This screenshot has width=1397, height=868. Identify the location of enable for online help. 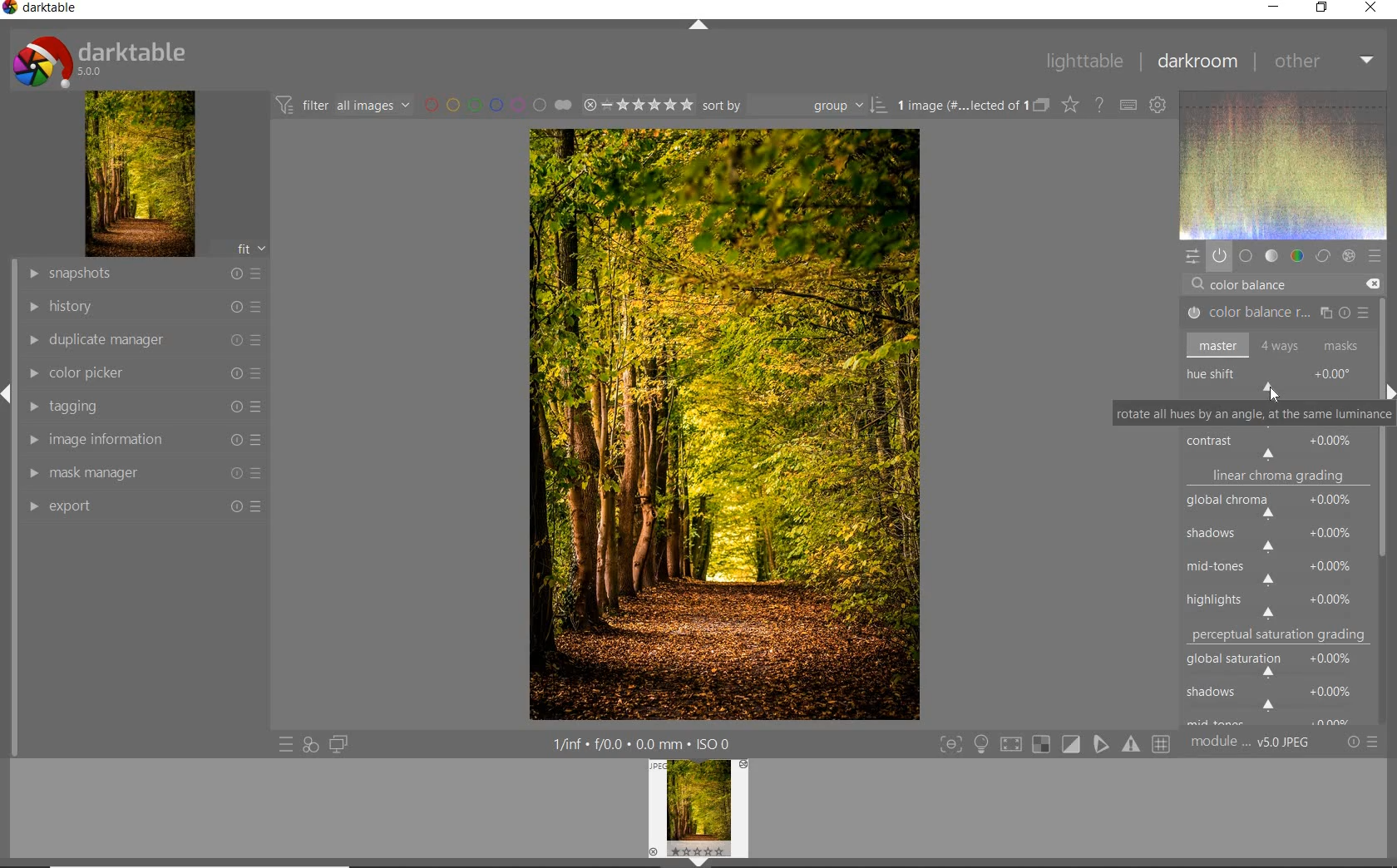
(1101, 105).